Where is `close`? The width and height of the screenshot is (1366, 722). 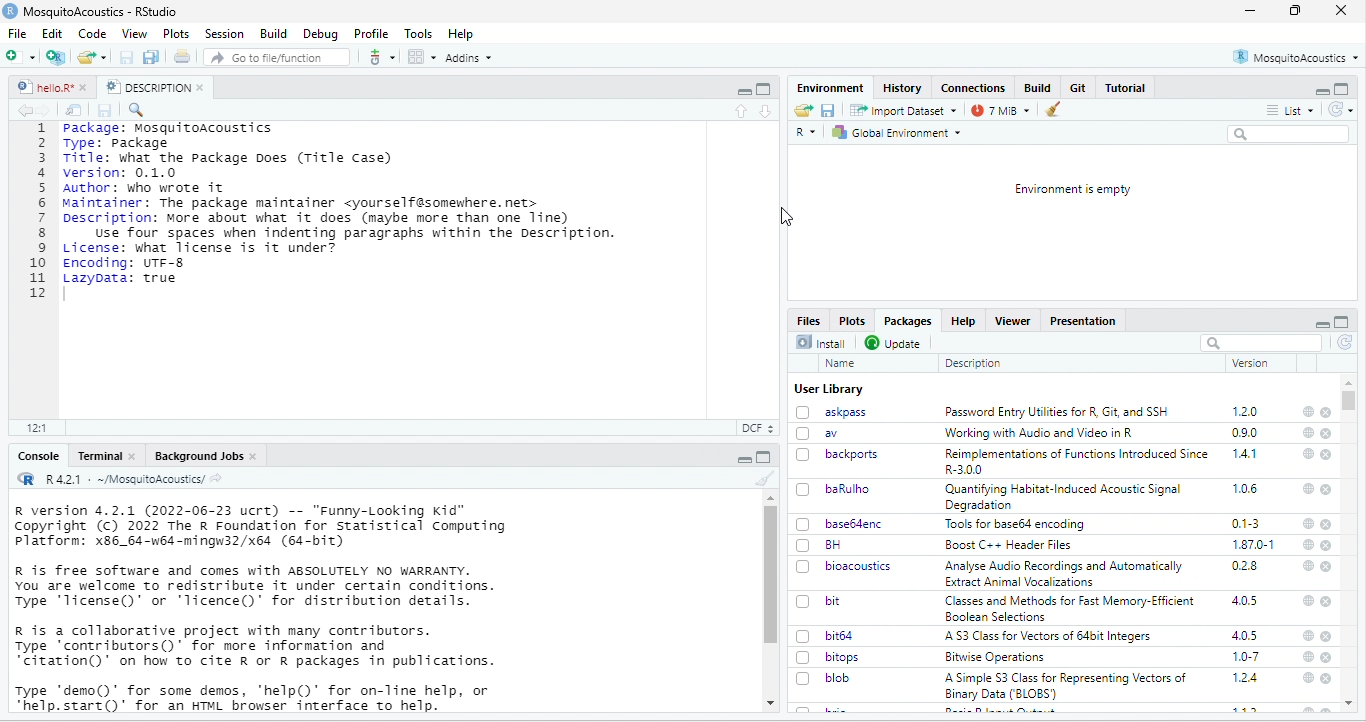
close is located at coordinates (1327, 434).